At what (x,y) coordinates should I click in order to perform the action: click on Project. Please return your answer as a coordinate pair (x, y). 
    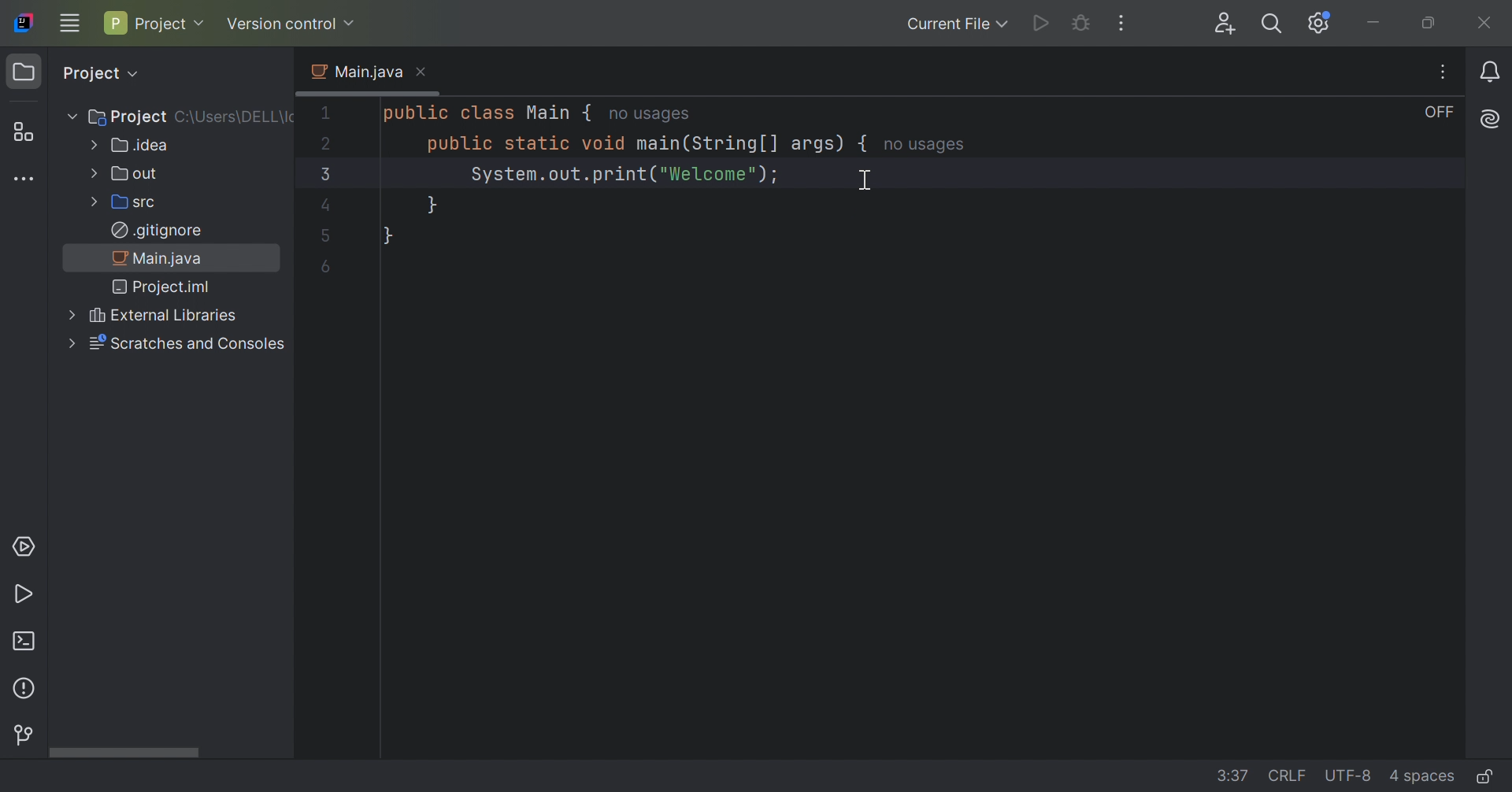
    Looking at the image, I should click on (118, 115).